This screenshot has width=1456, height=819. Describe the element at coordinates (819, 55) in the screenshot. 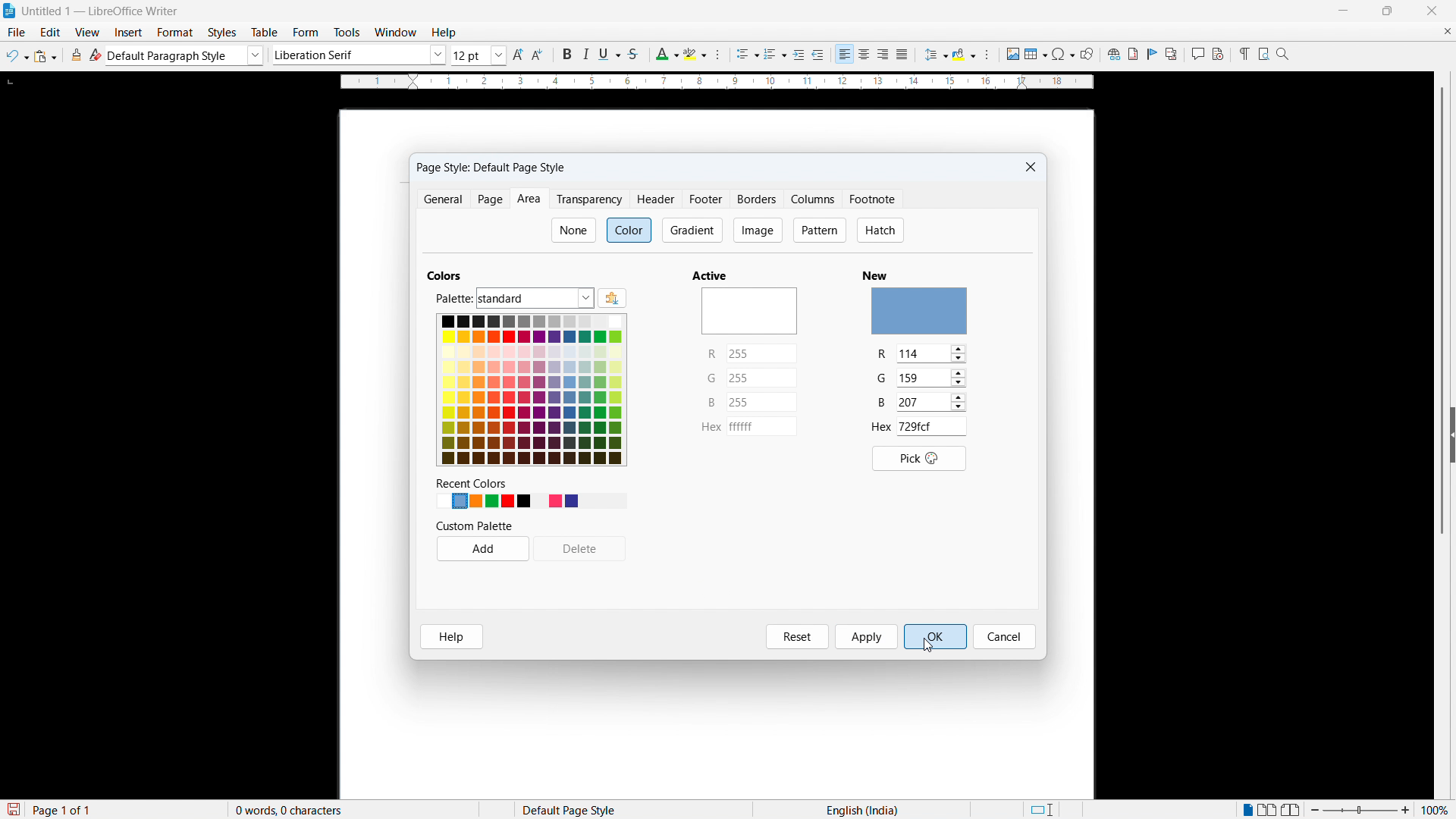

I see `Decrease indent ` at that location.